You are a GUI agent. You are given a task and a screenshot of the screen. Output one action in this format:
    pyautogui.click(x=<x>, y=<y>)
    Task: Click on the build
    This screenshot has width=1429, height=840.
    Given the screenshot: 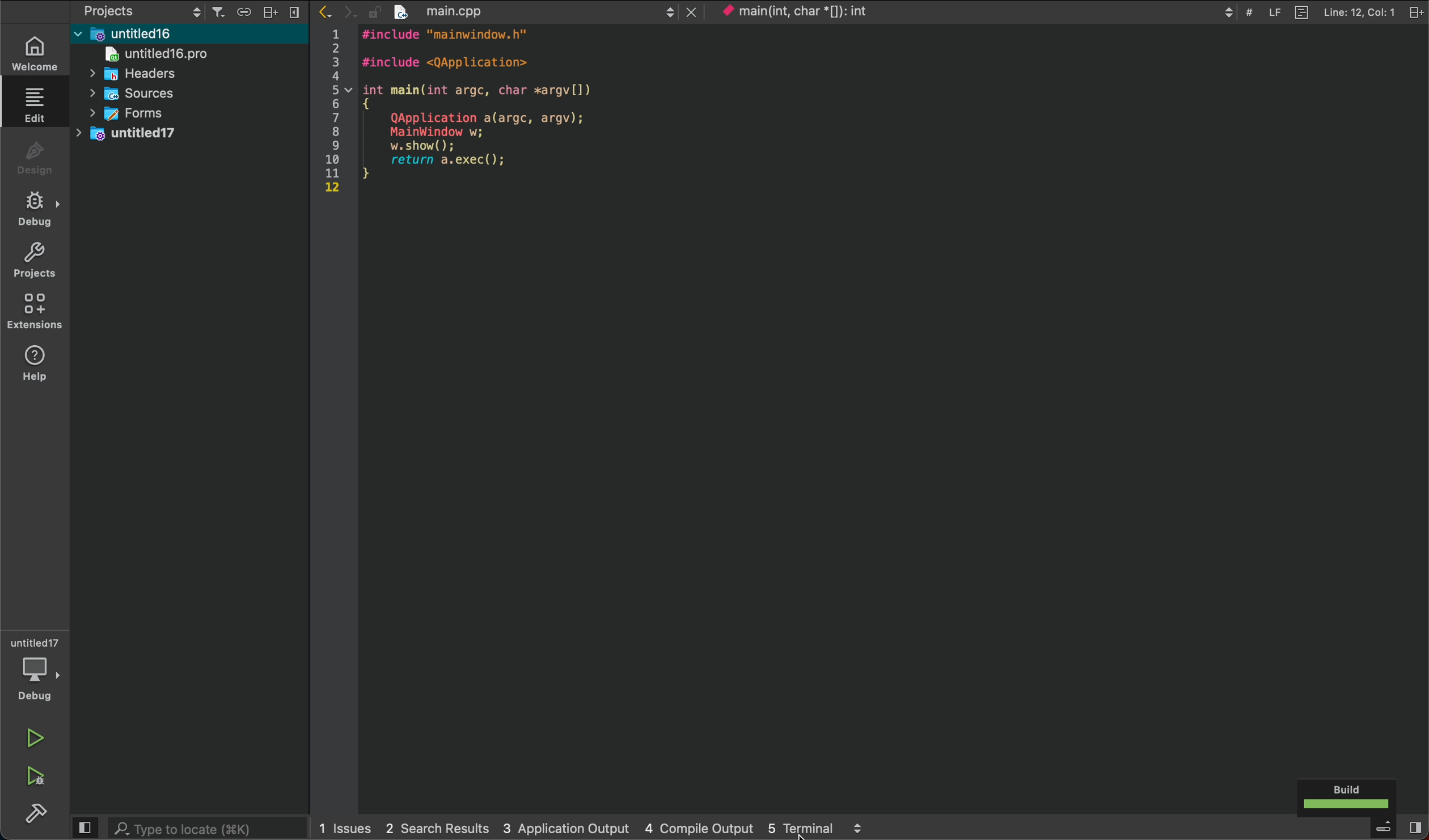 What is the action you would take?
    pyautogui.click(x=31, y=820)
    